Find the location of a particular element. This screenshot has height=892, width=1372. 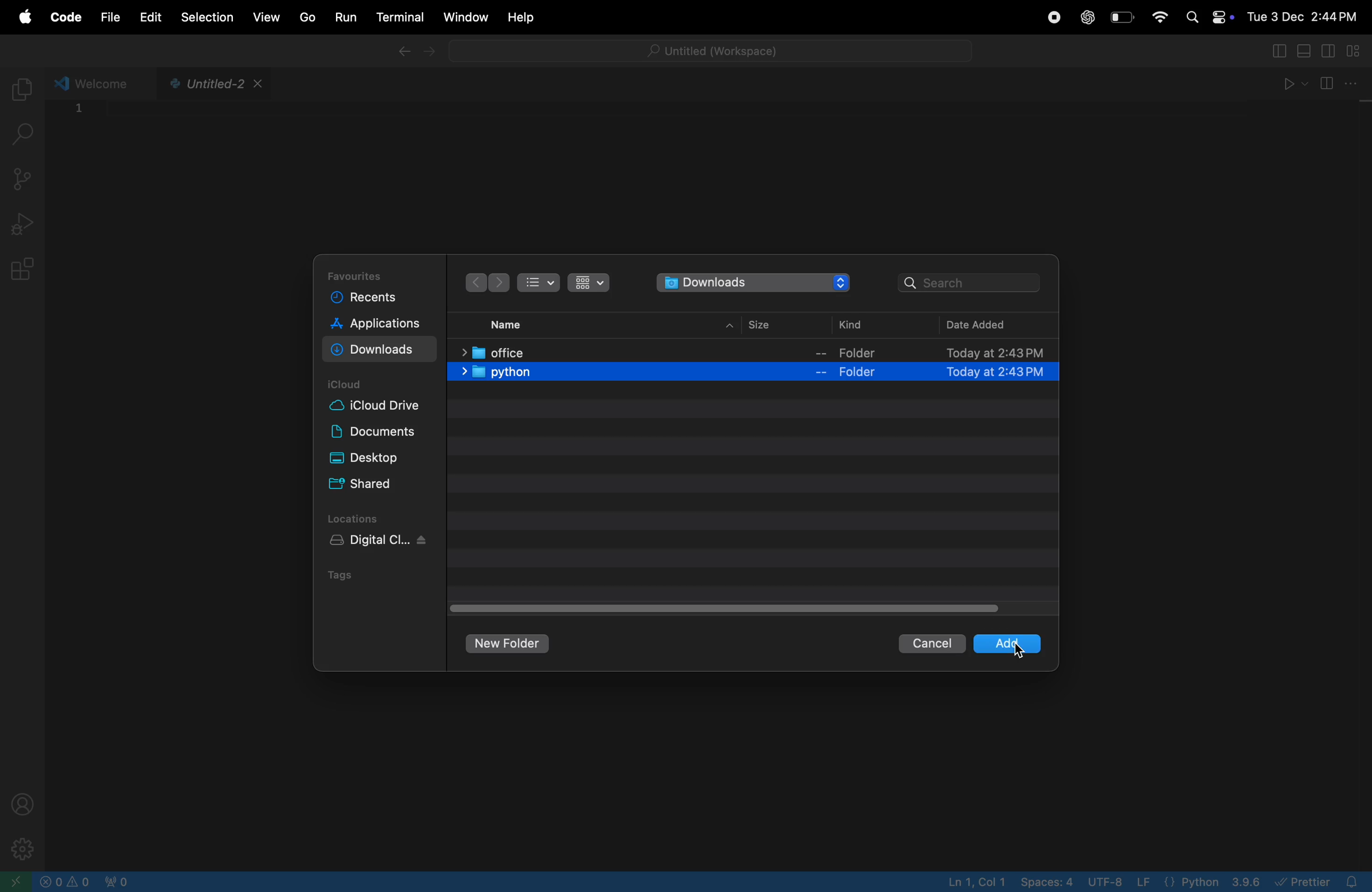

view is located at coordinates (268, 17).